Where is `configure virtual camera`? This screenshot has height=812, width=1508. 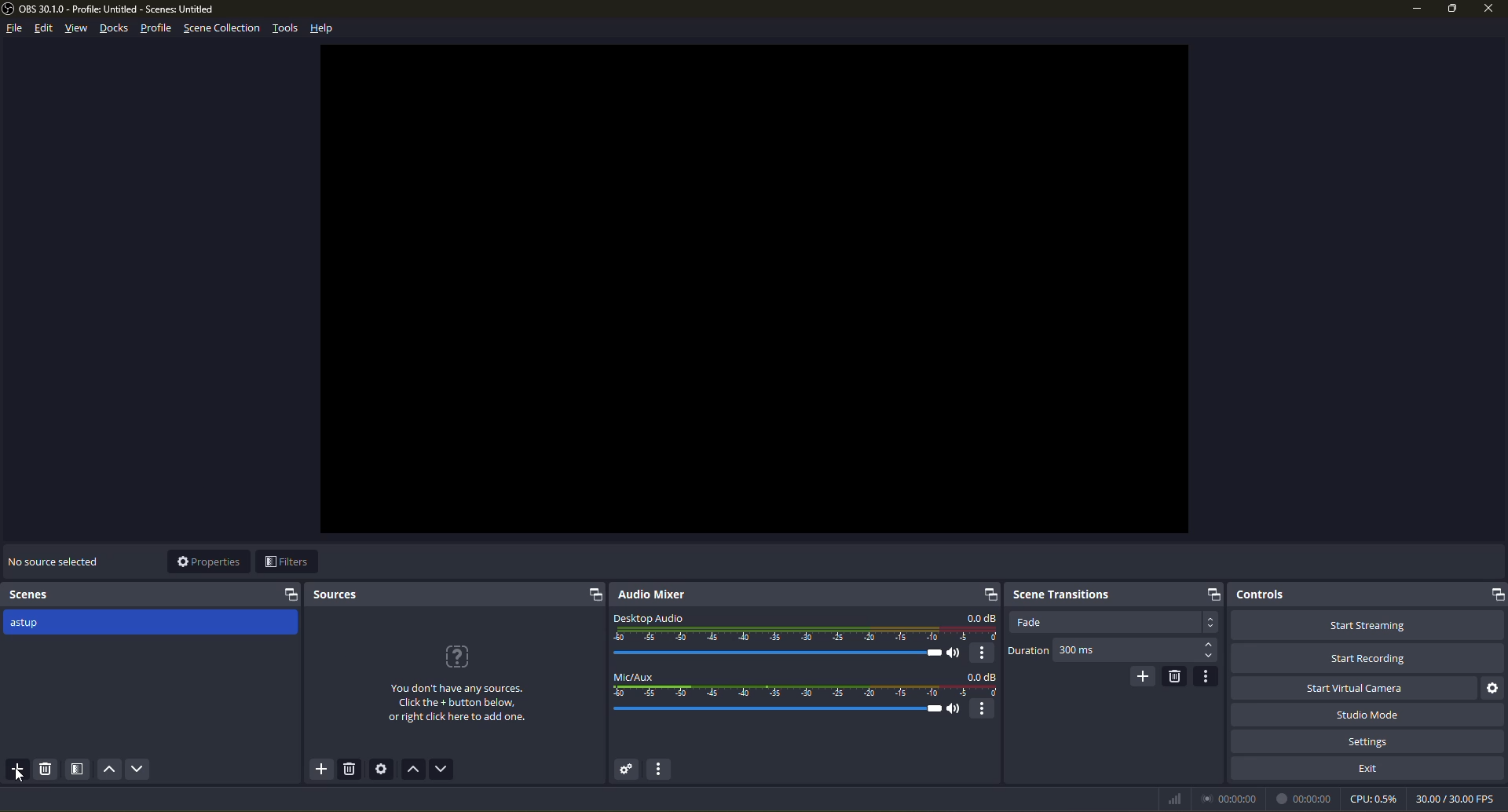
configure virtual camera is located at coordinates (1495, 687).